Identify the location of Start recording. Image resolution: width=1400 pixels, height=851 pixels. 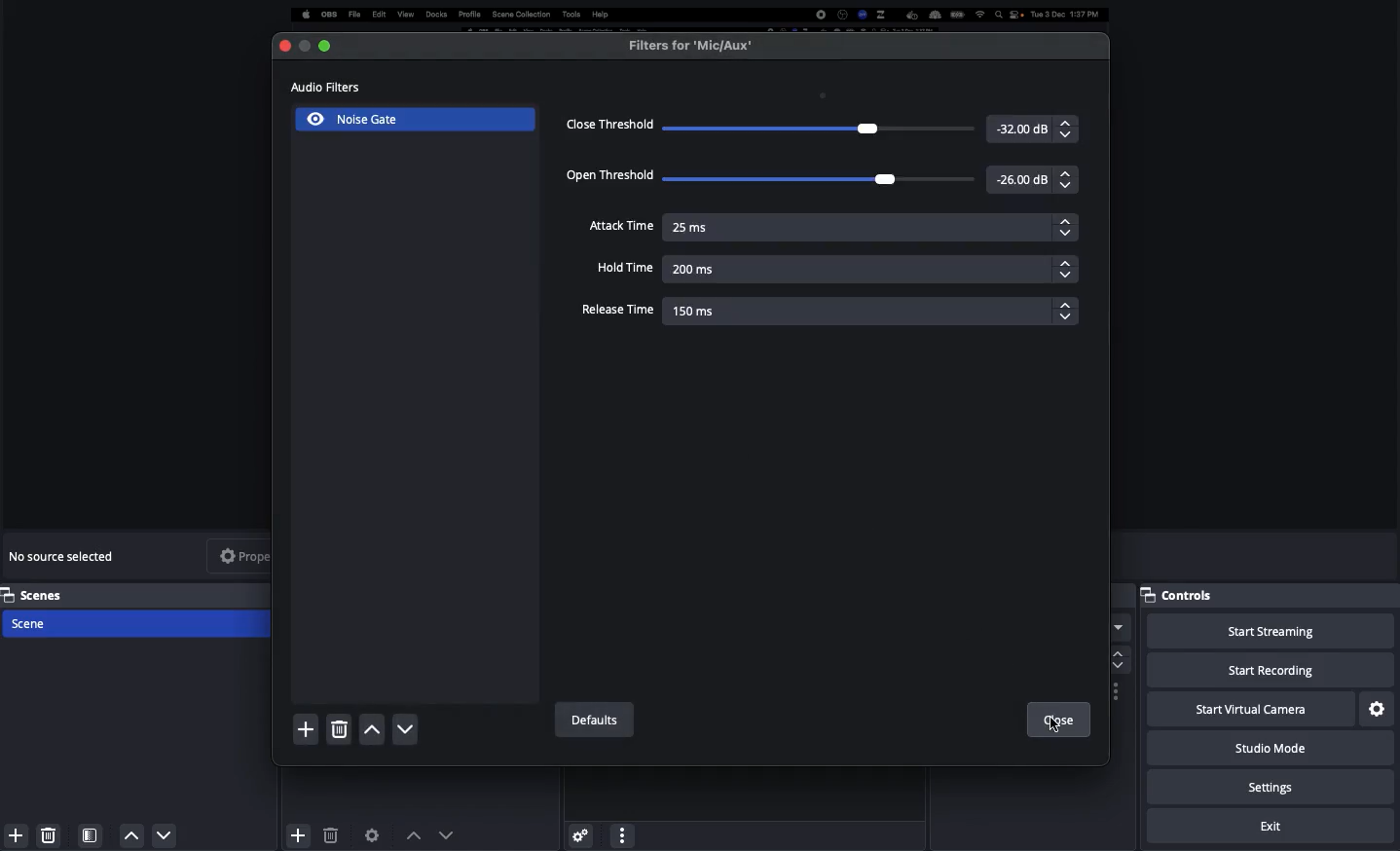
(1271, 672).